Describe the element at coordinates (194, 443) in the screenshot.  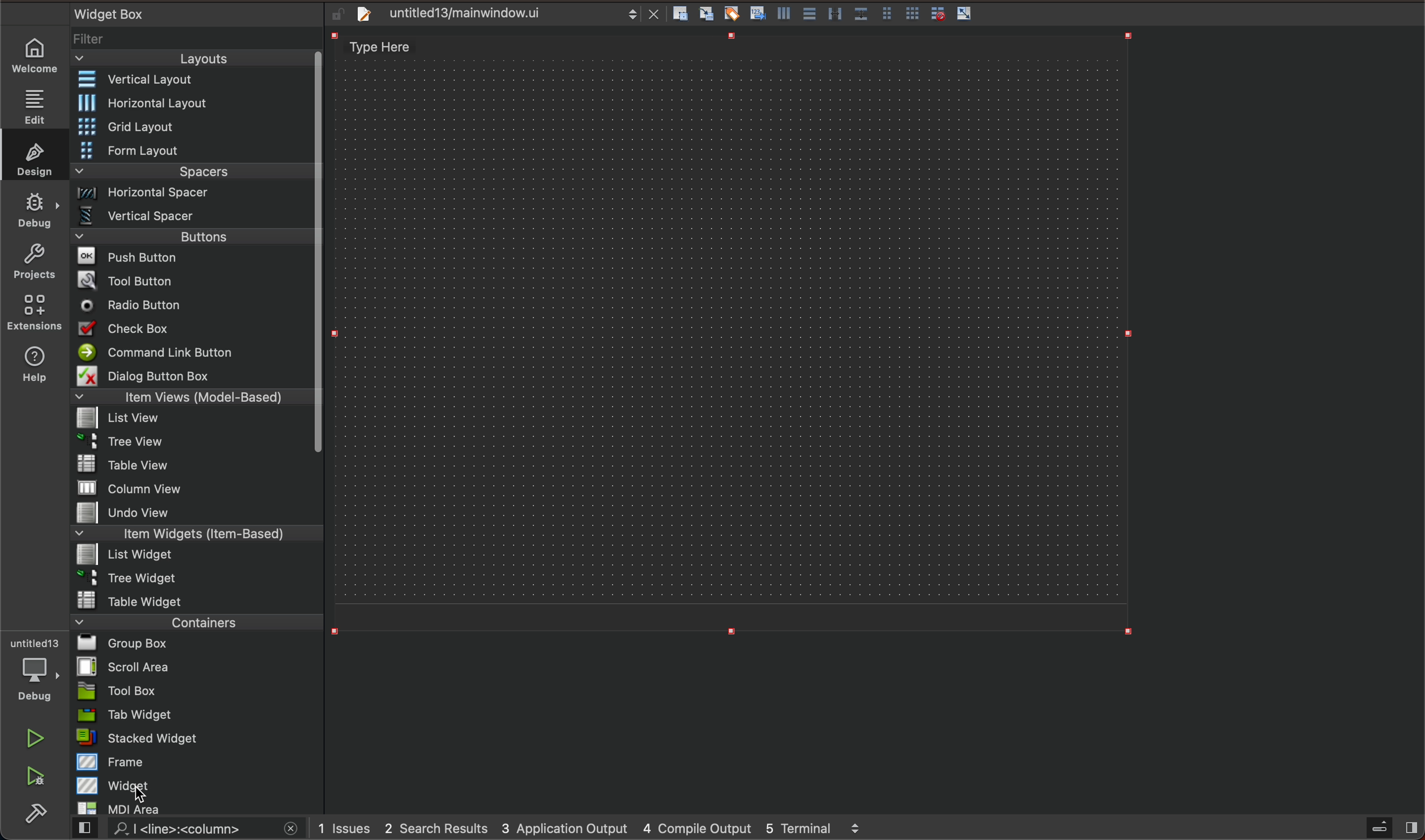
I see `tree view` at that location.